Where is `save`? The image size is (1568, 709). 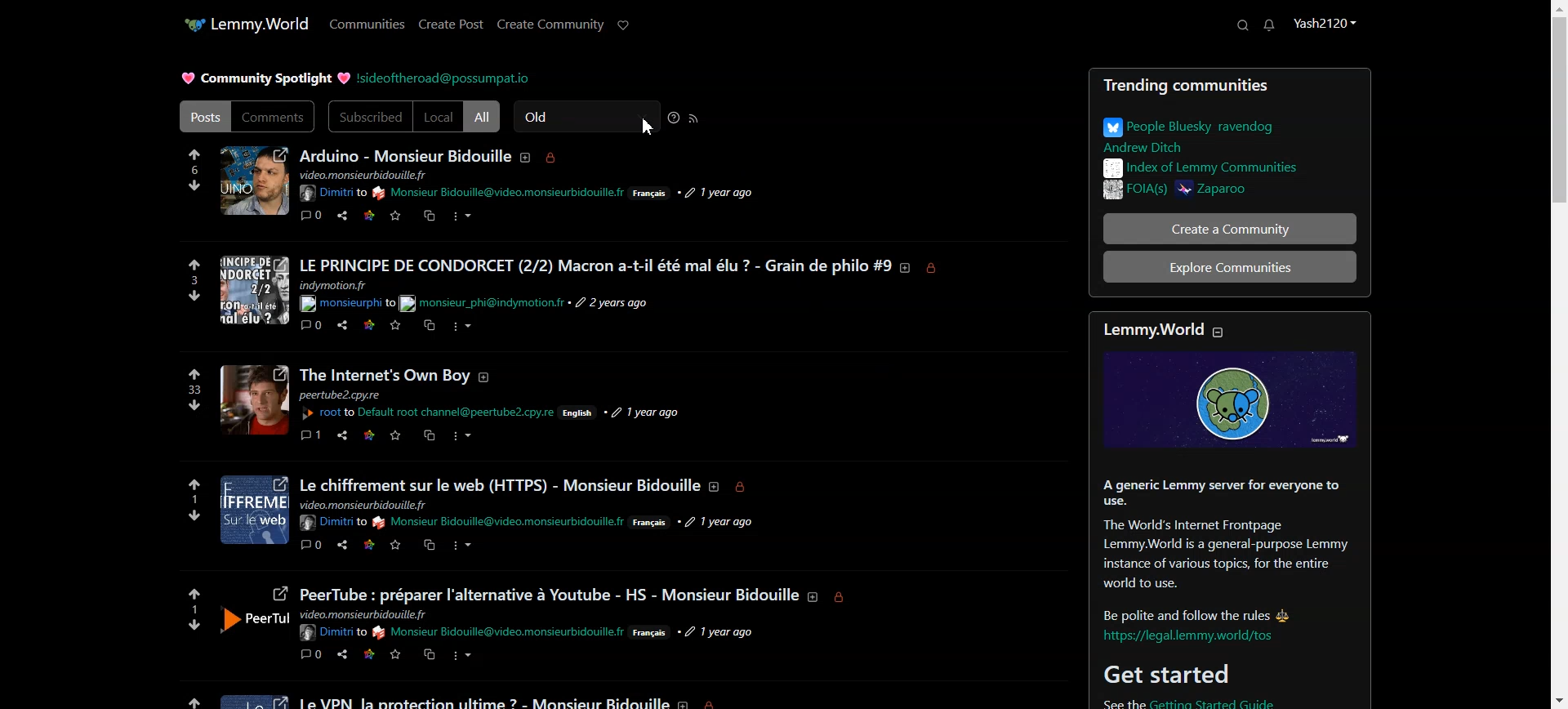 save is located at coordinates (394, 325).